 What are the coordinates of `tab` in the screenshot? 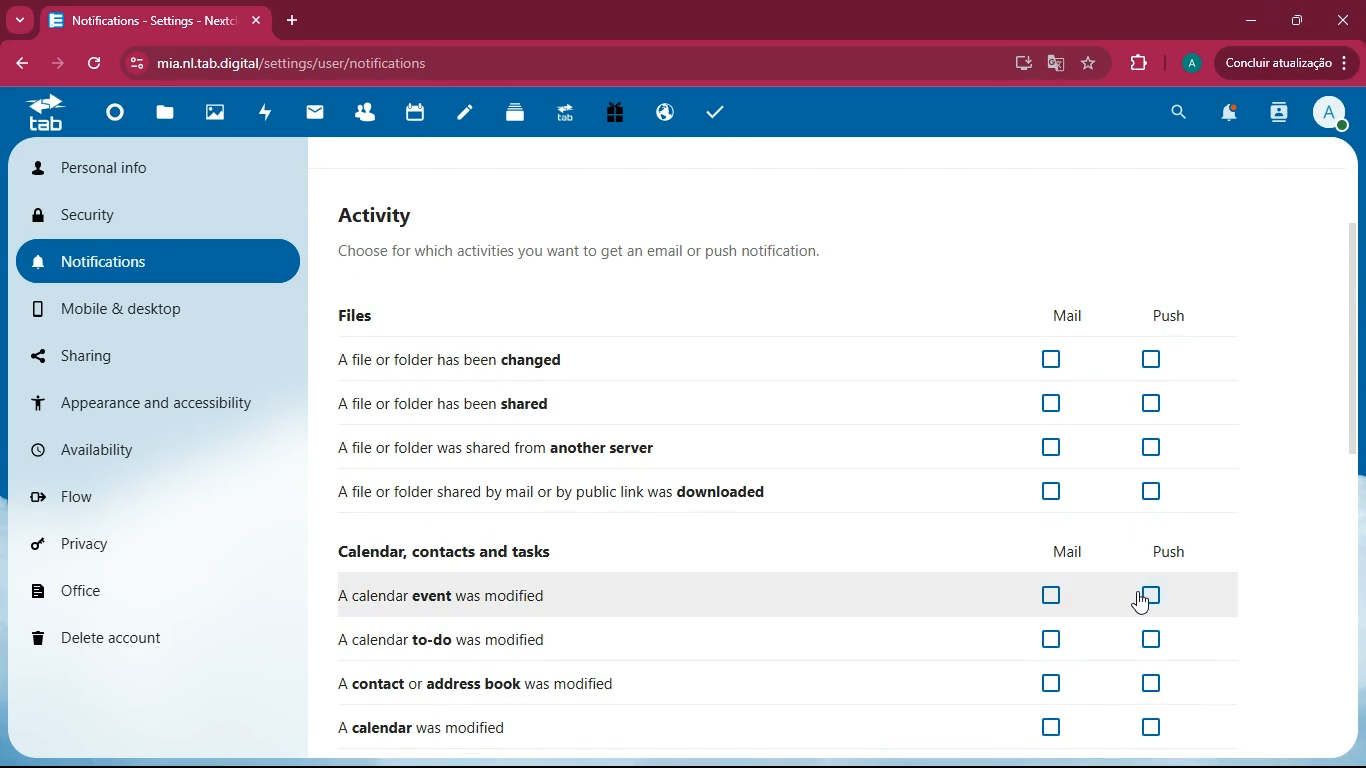 It's located at (569, 114).